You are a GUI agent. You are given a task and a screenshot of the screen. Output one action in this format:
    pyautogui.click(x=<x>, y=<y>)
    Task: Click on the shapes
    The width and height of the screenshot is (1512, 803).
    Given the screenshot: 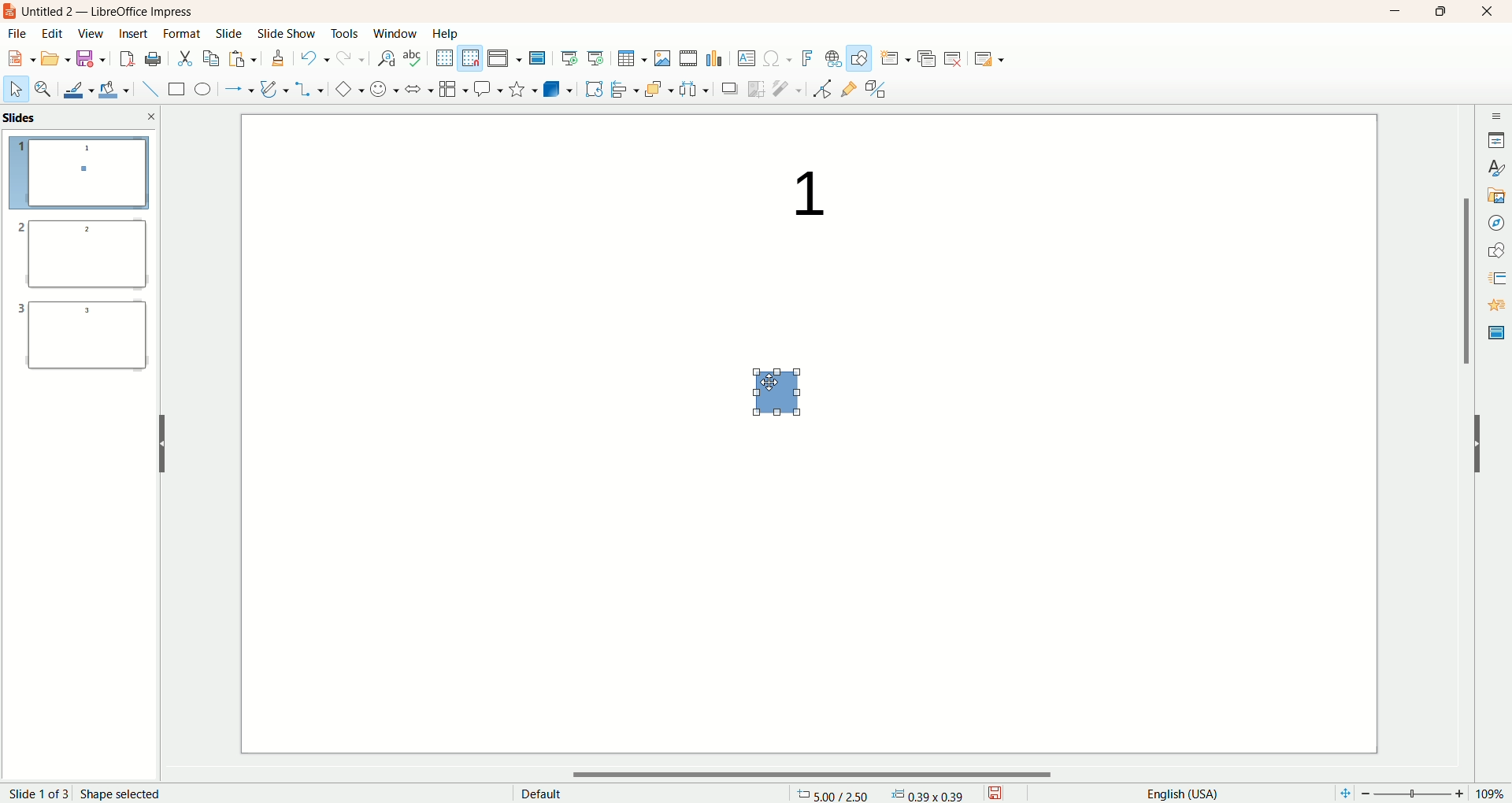 What is the action you would take?
    pyautogui.click(x=1496, y=248)
    